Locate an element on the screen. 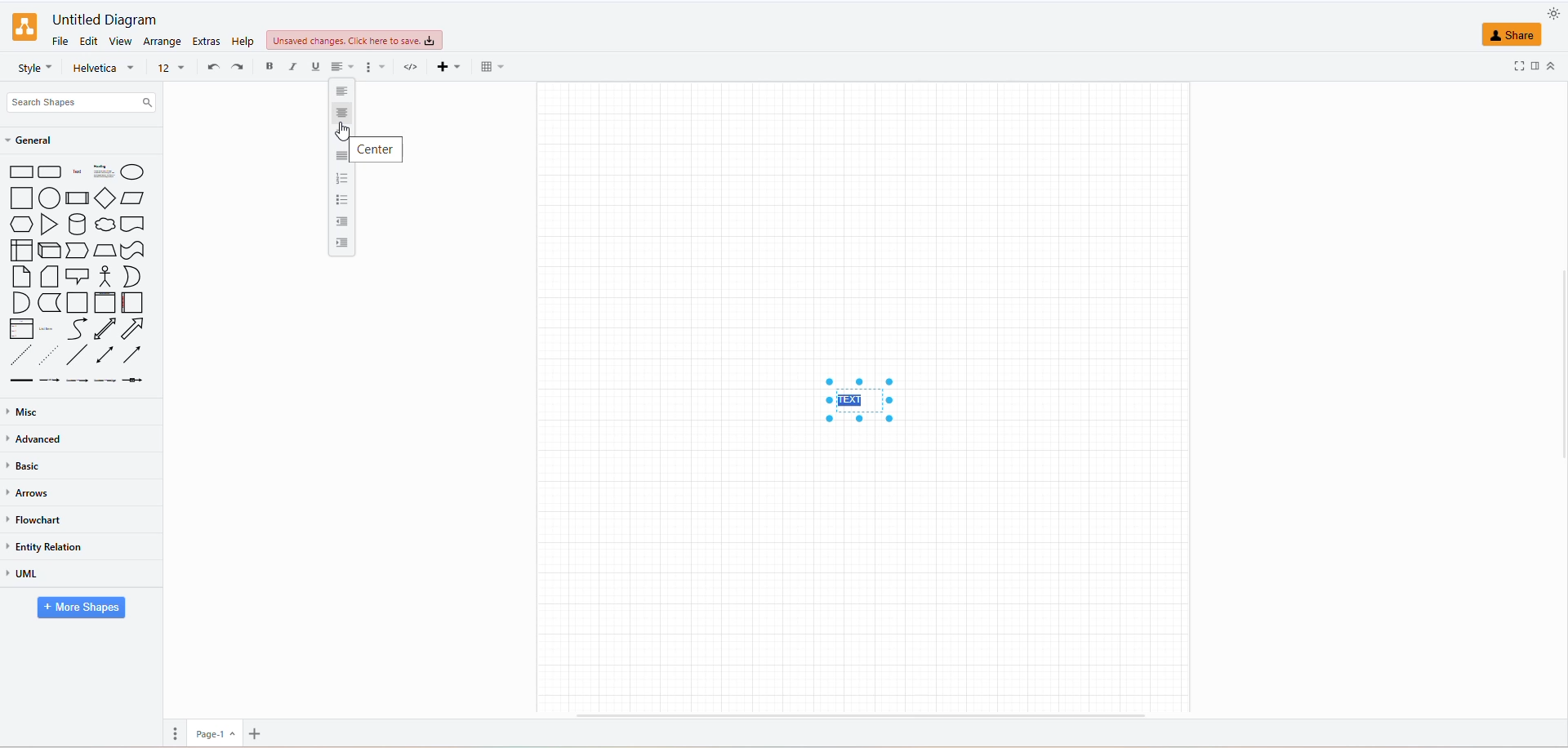 The height and width of the screenshot is (748, 1568). help is located at coordinates (244, 40).